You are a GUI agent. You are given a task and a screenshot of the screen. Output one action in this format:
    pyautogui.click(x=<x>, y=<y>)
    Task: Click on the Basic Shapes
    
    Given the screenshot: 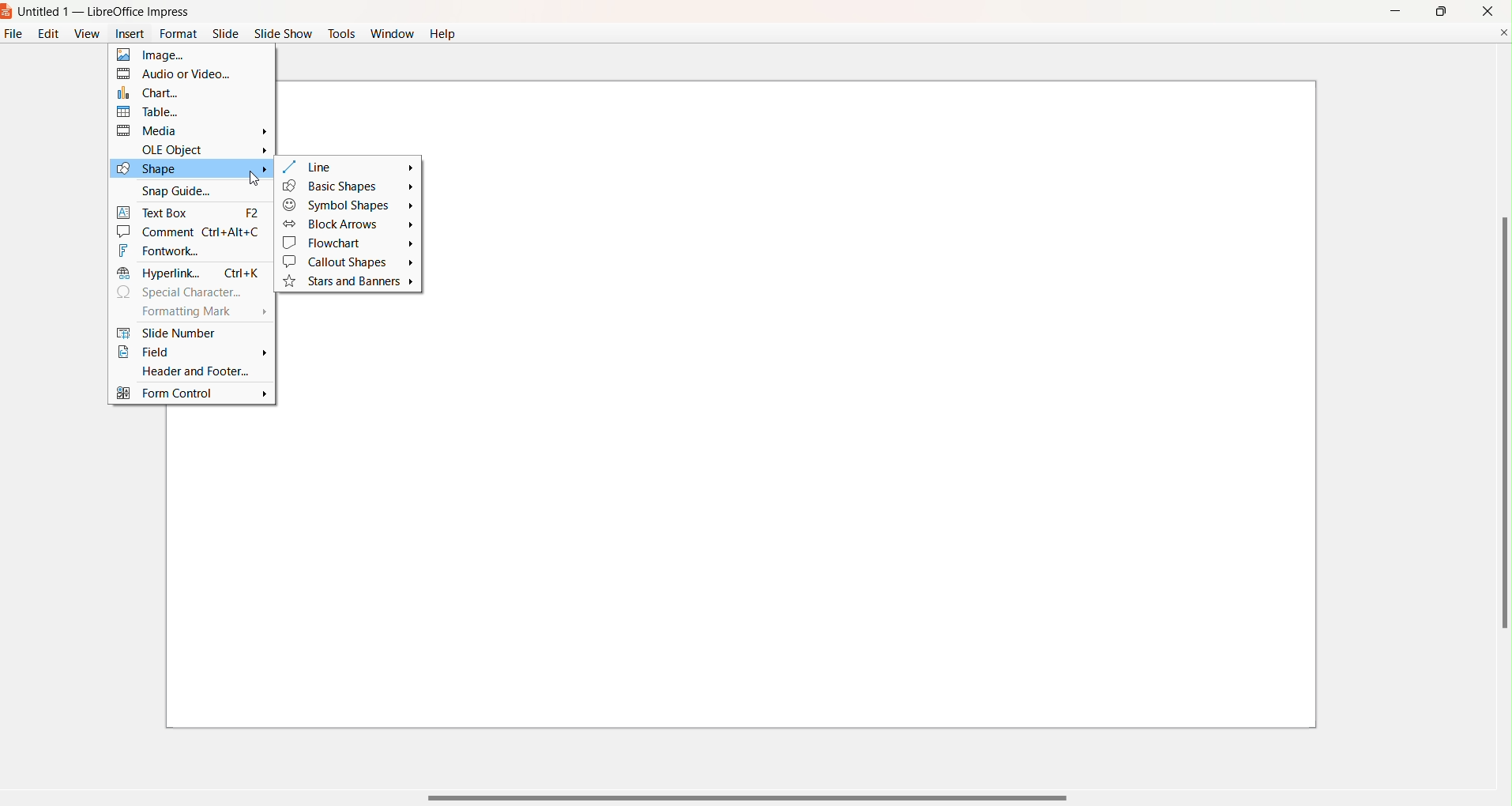 What is the action you would take?
    pyautogui.click(x=348, y=186)
    